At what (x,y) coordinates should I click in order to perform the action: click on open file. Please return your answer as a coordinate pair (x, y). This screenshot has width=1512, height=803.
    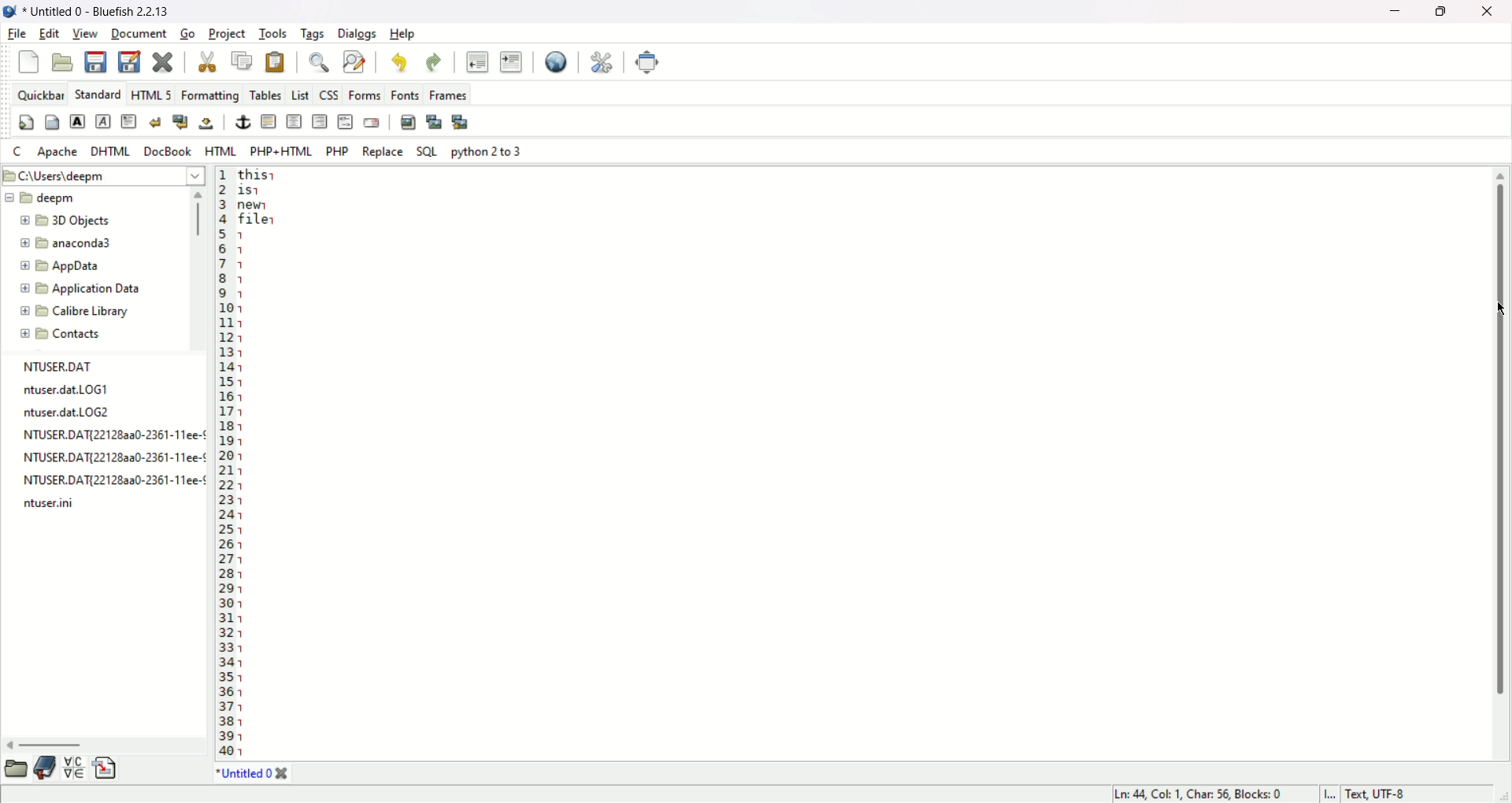
    Looking at the image, I should click on (63, 61).